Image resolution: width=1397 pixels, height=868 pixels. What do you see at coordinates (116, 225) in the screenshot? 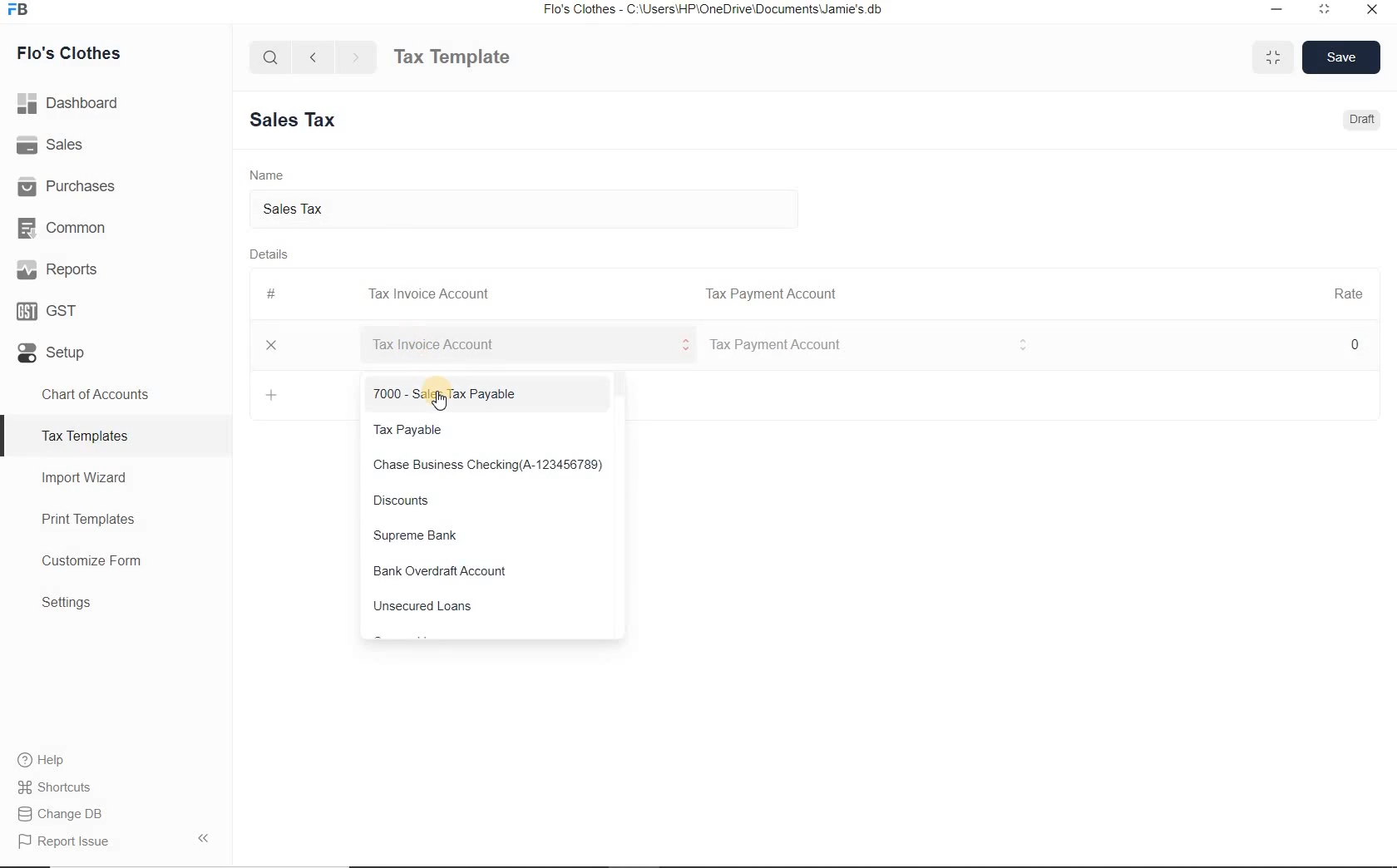
I see `Common` at bounding box center [116, 225].